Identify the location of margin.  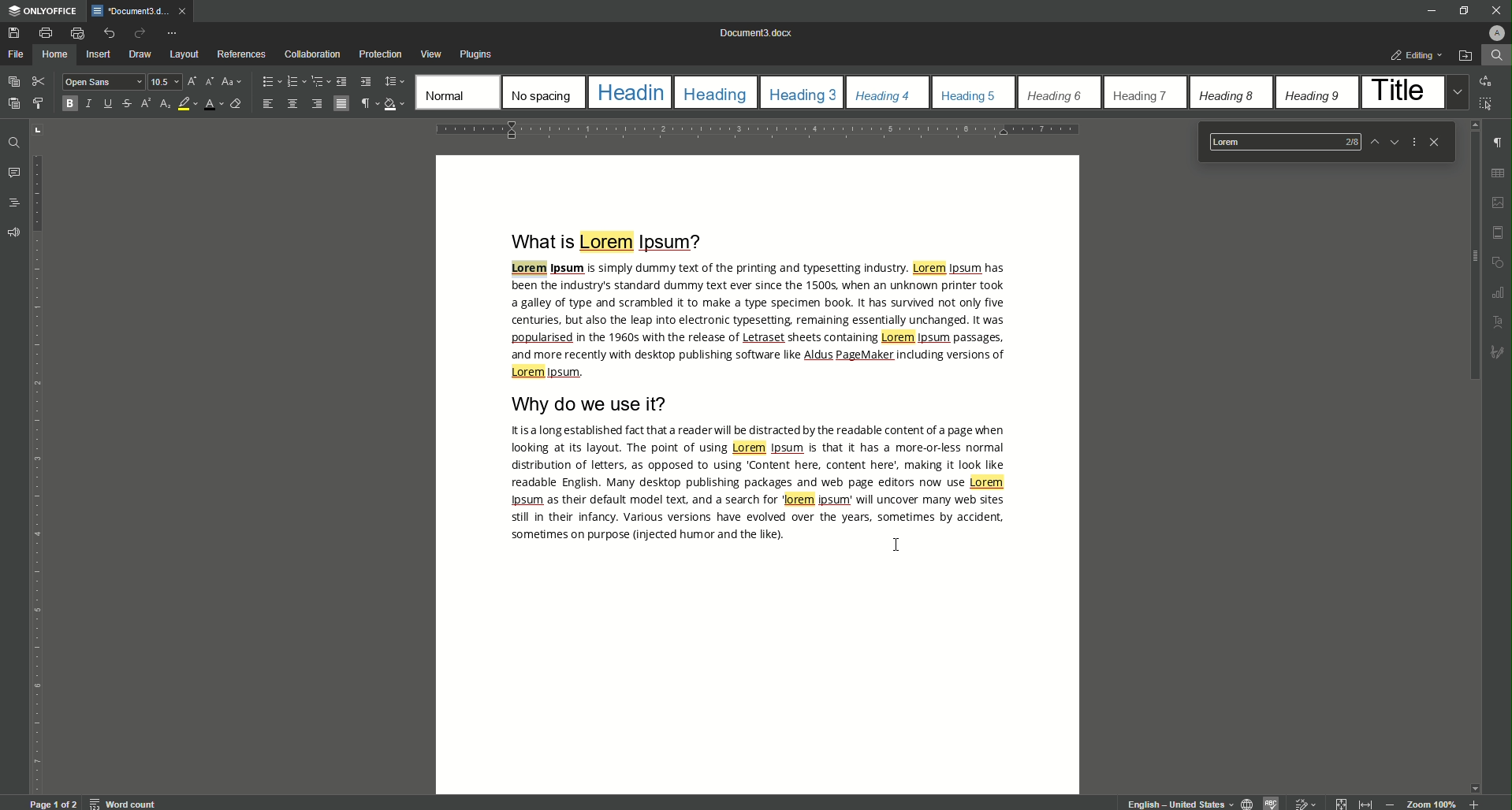
(1499, 229).